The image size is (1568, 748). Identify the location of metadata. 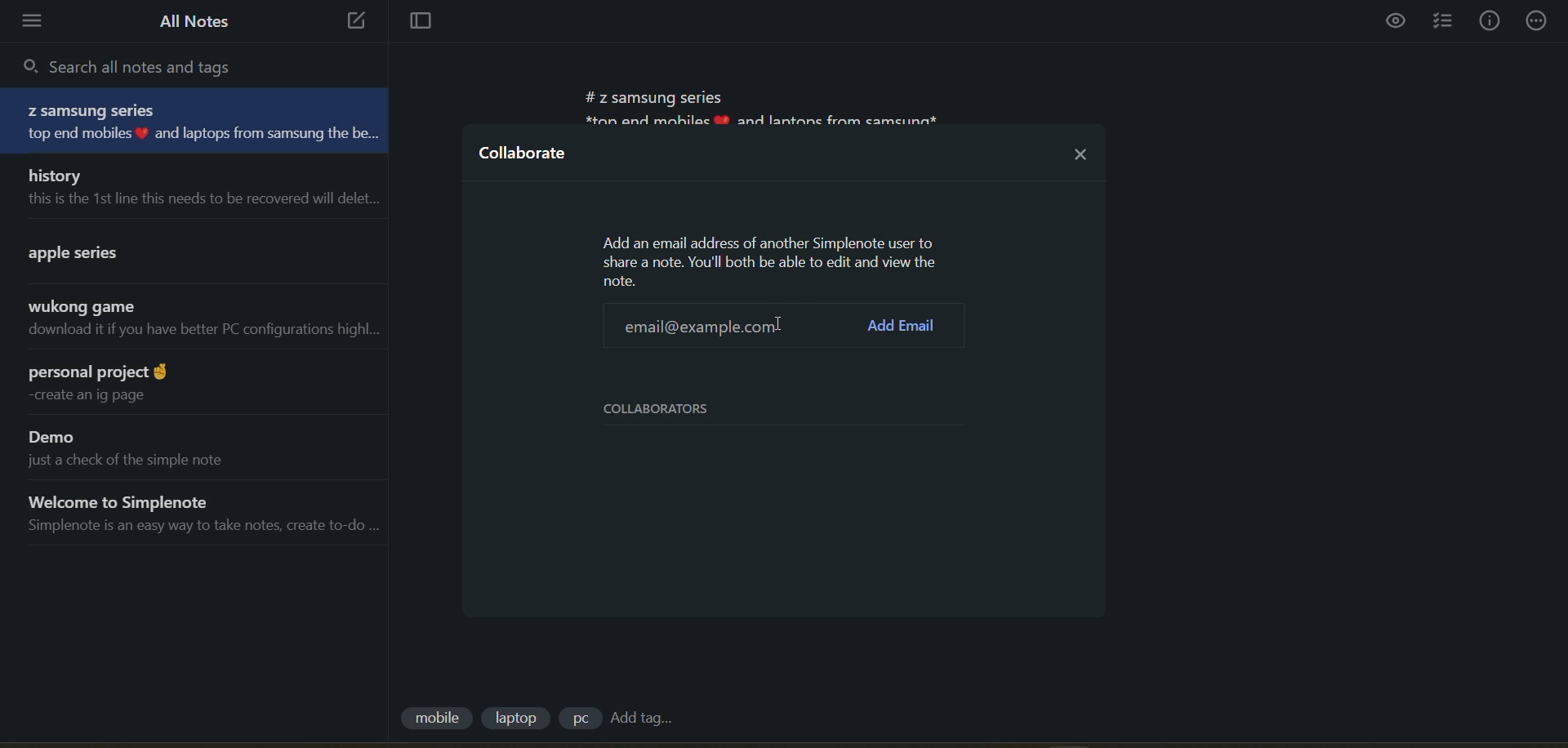
(773, 260).